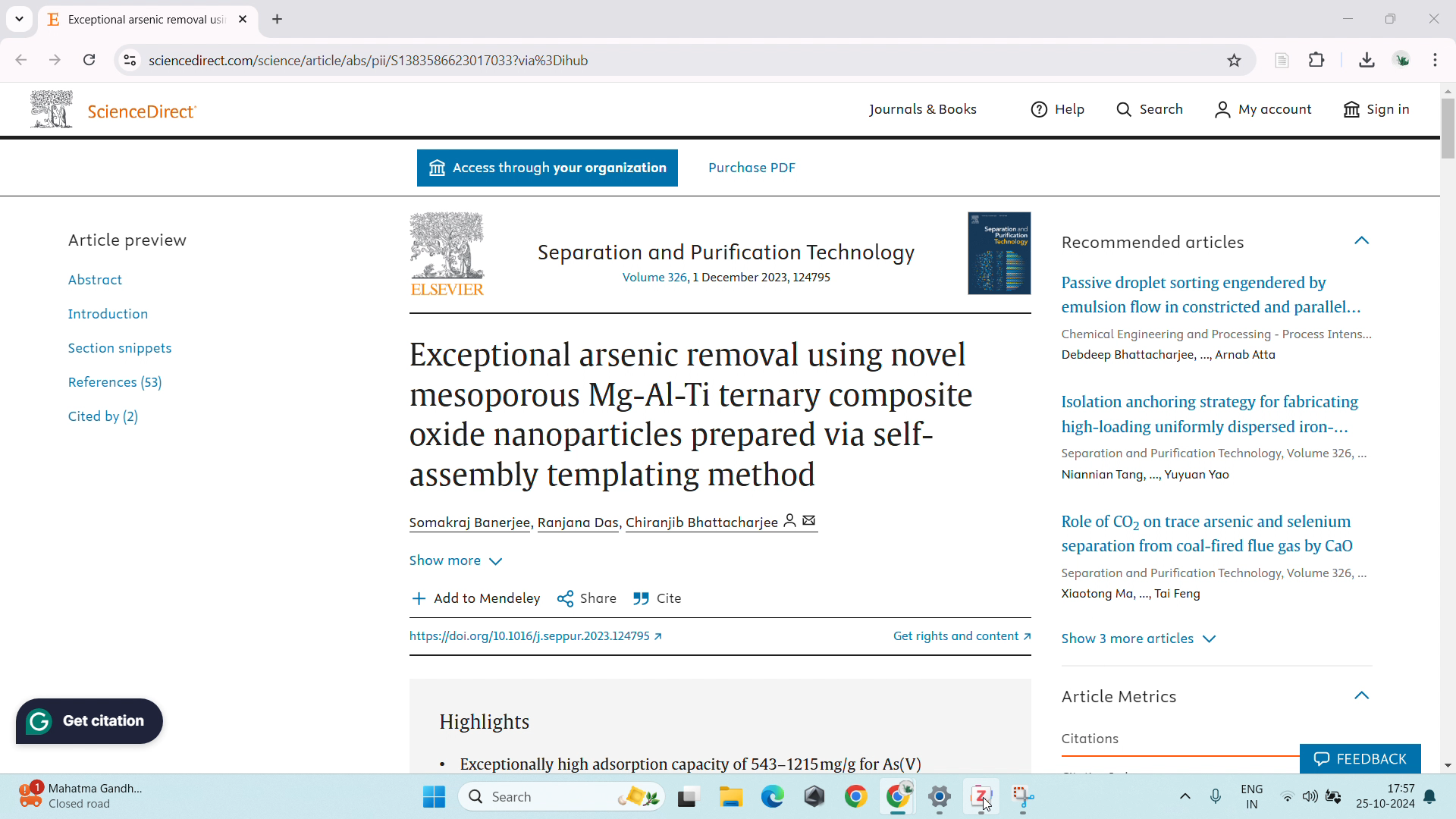  Describe the element at coordinates (919, 111) in the screenshot. I see `Journals & Books` at that location.